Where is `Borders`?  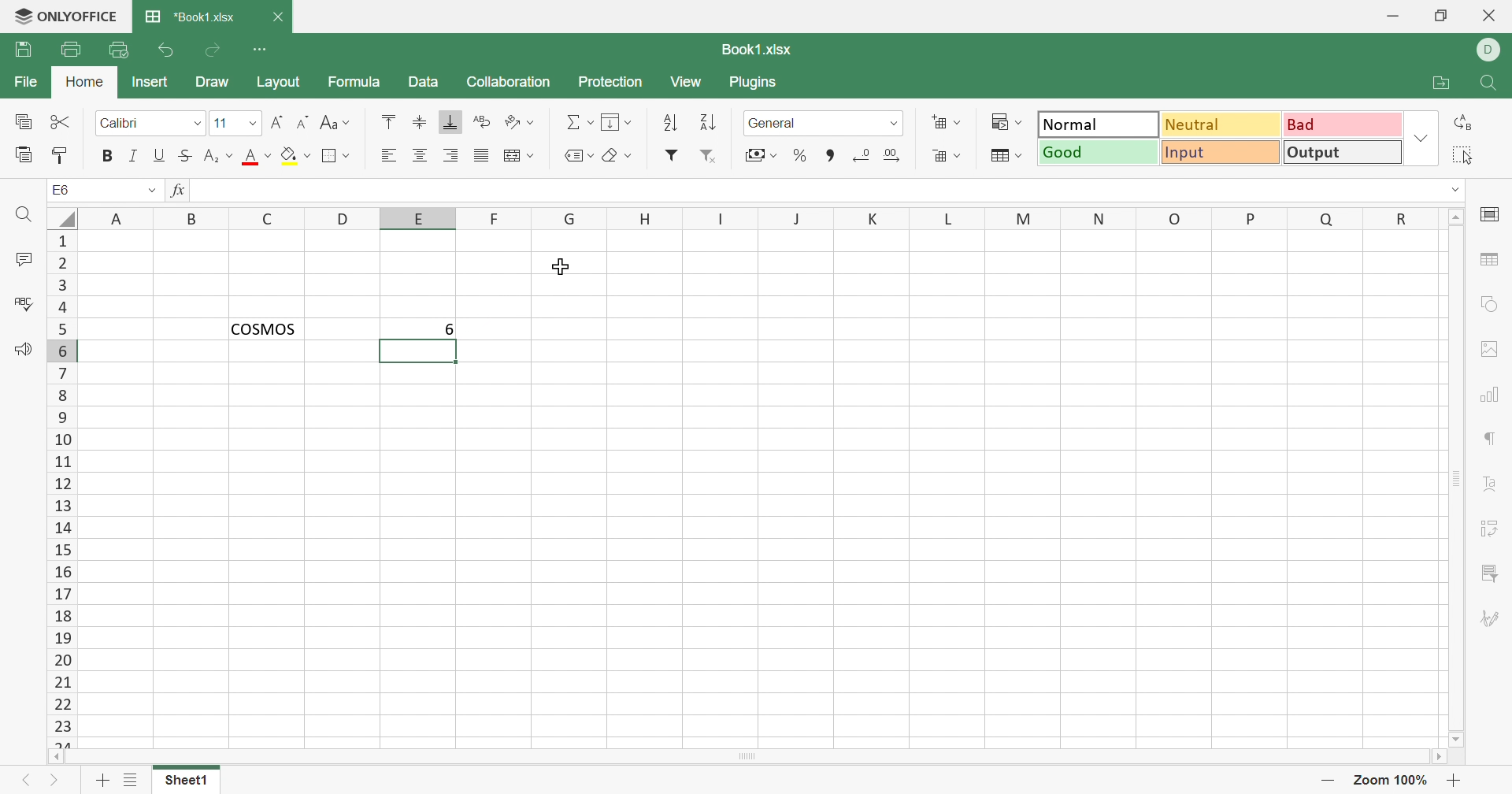 Borders is located at coordinates (338, 157).